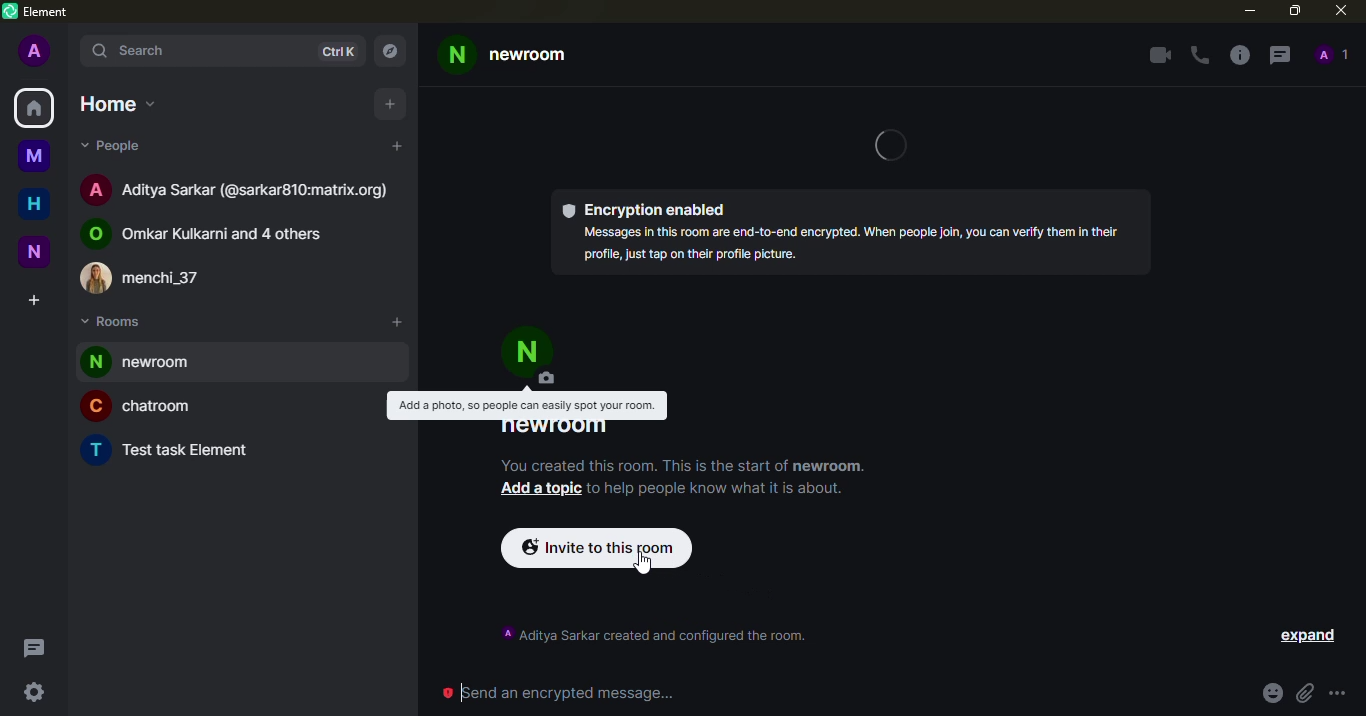 The height and width of the screenshot is (716, 1366). What do you see at coordinates (651, 636) in the screenshot?
I see `‘A Aditya Sarkar created and configured the room.` at bounding box center [651, 636].